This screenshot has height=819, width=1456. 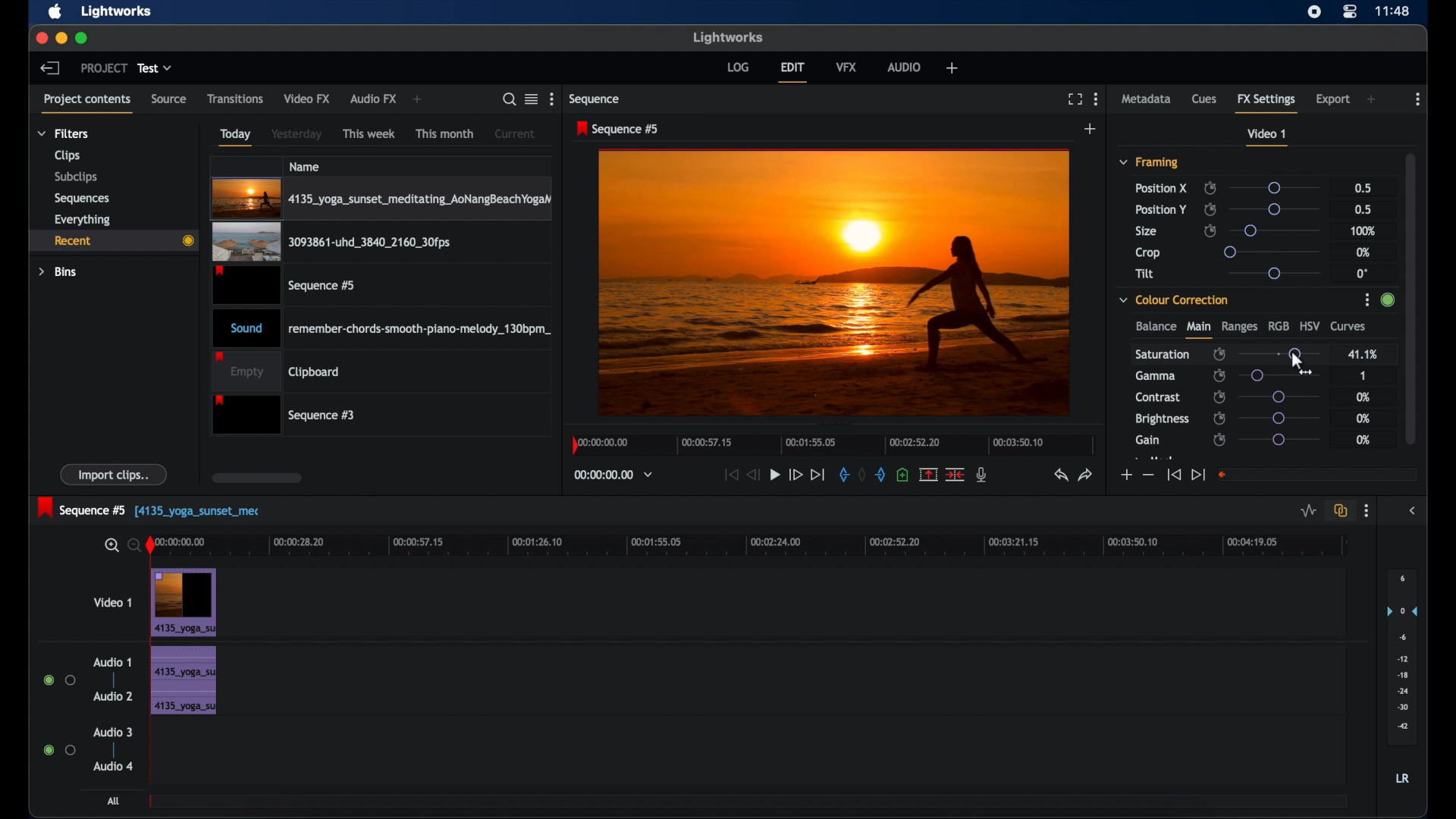 I want to click on mic, so click(x=983, y=475).